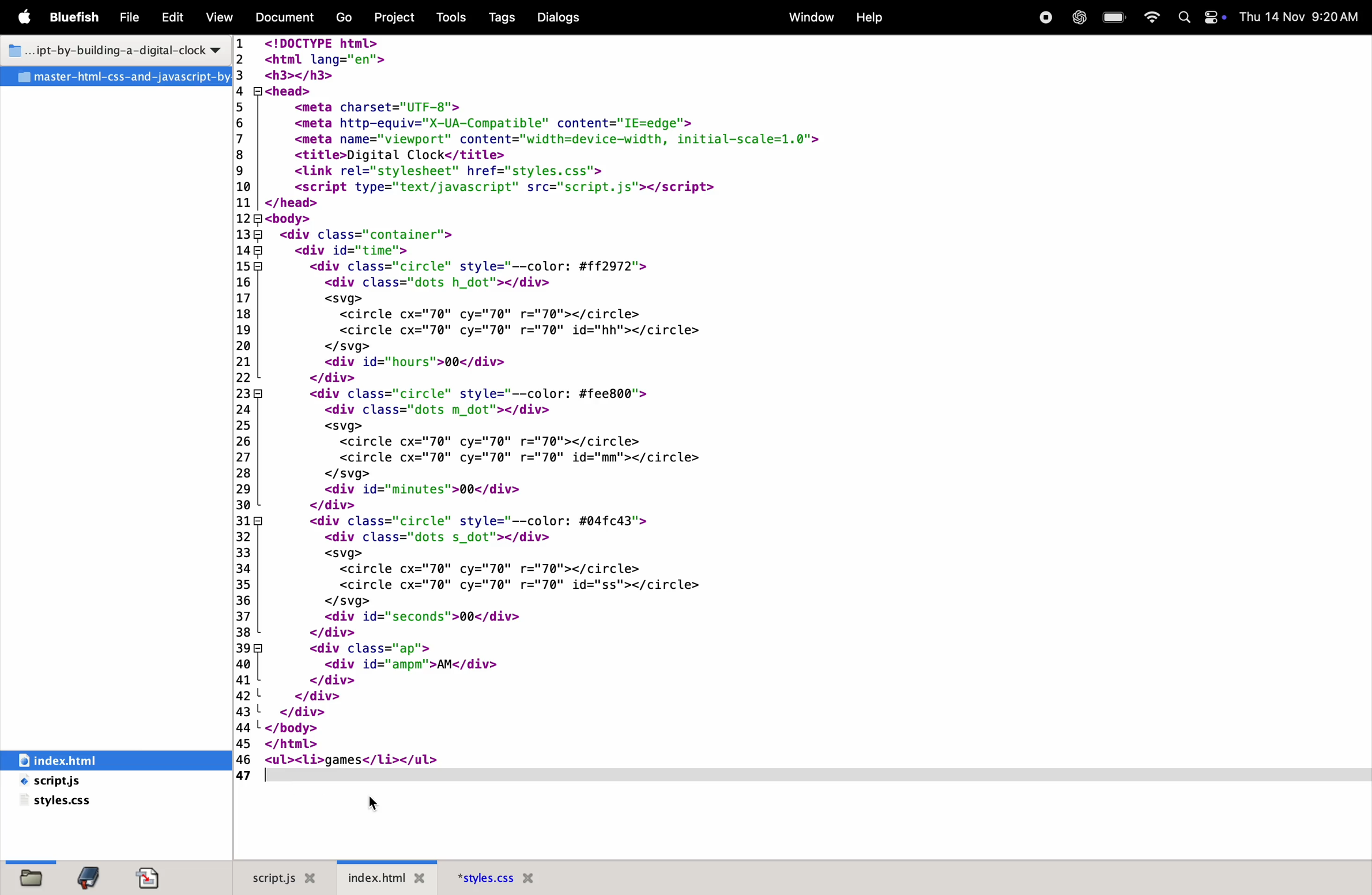 This screenshot has width=1372, height=895. What do you see at coordinates (220, 17) in the screenshot?
I see `View` at bounding box center [220, 17].